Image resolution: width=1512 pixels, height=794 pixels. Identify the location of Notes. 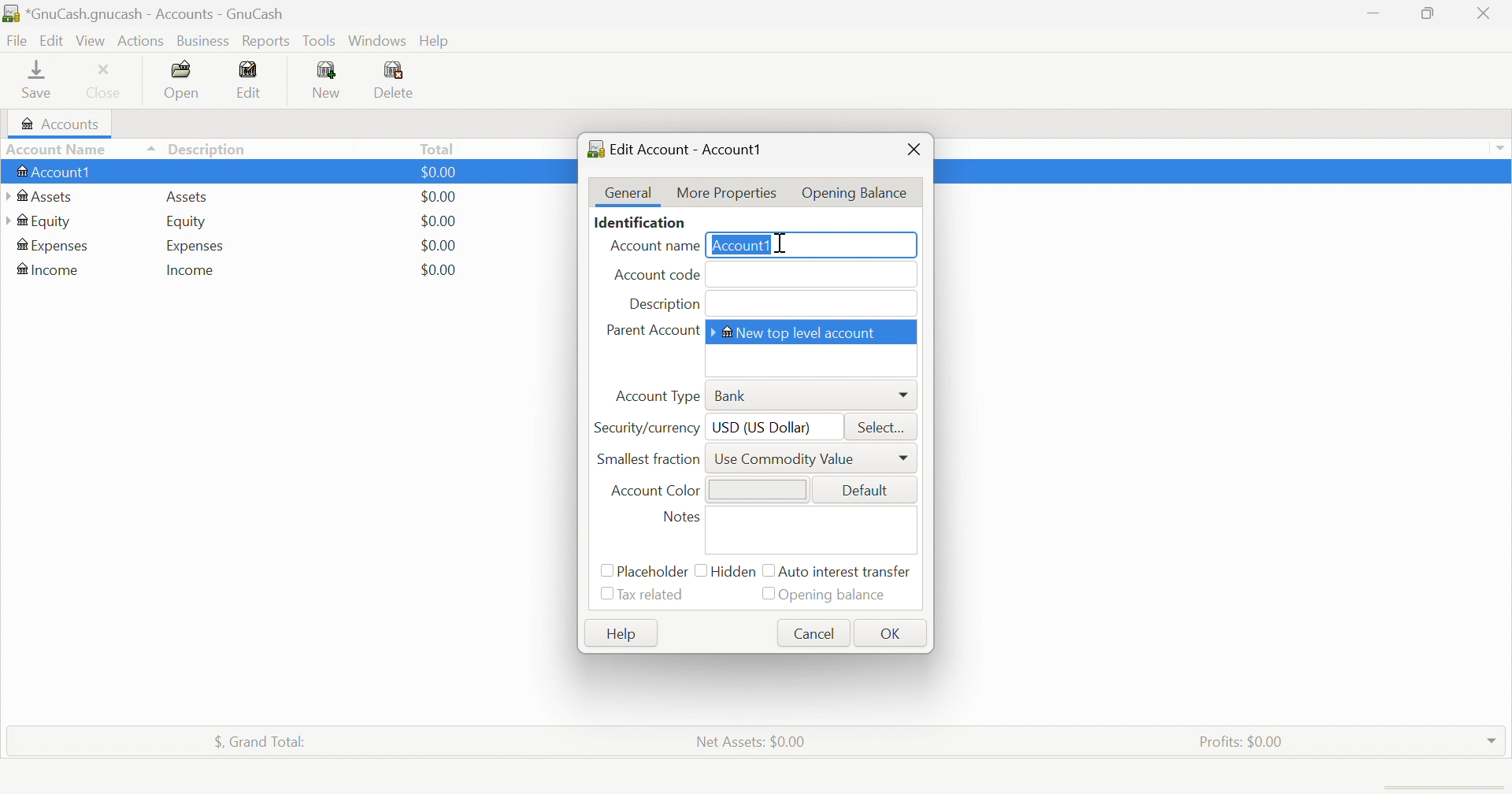
(680, 518).